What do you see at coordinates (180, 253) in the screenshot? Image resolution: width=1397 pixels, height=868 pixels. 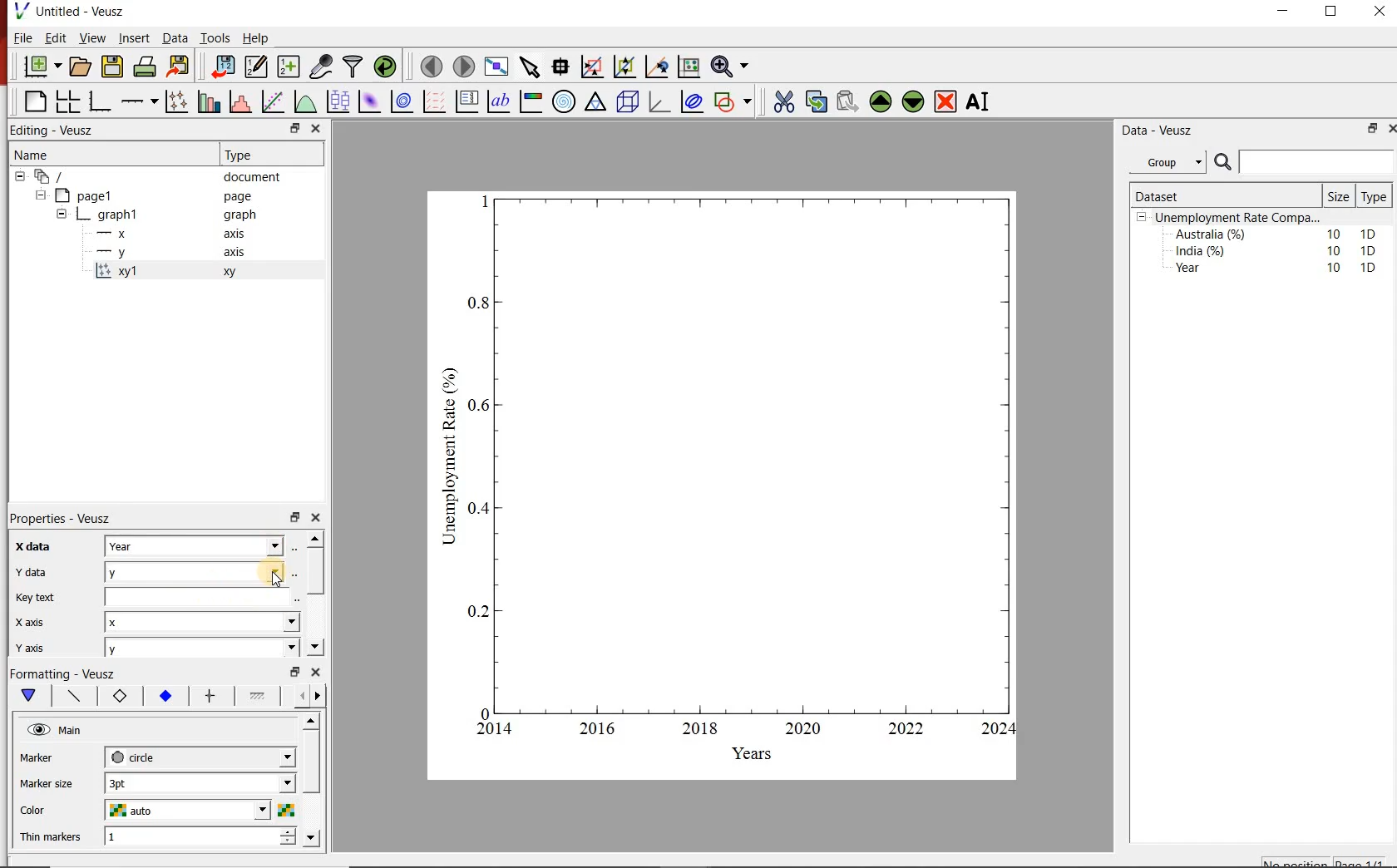 I see `y axis` at bounding box center [180, 253].